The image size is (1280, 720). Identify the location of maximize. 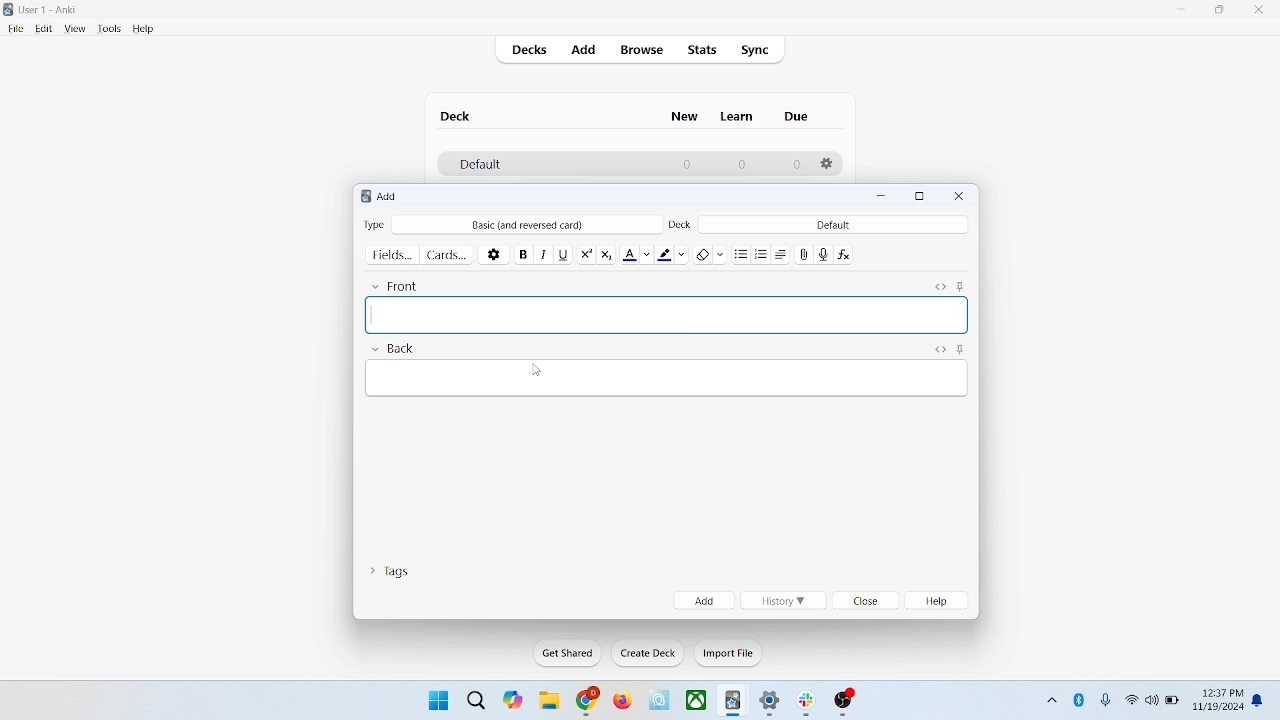
(1220, 13).